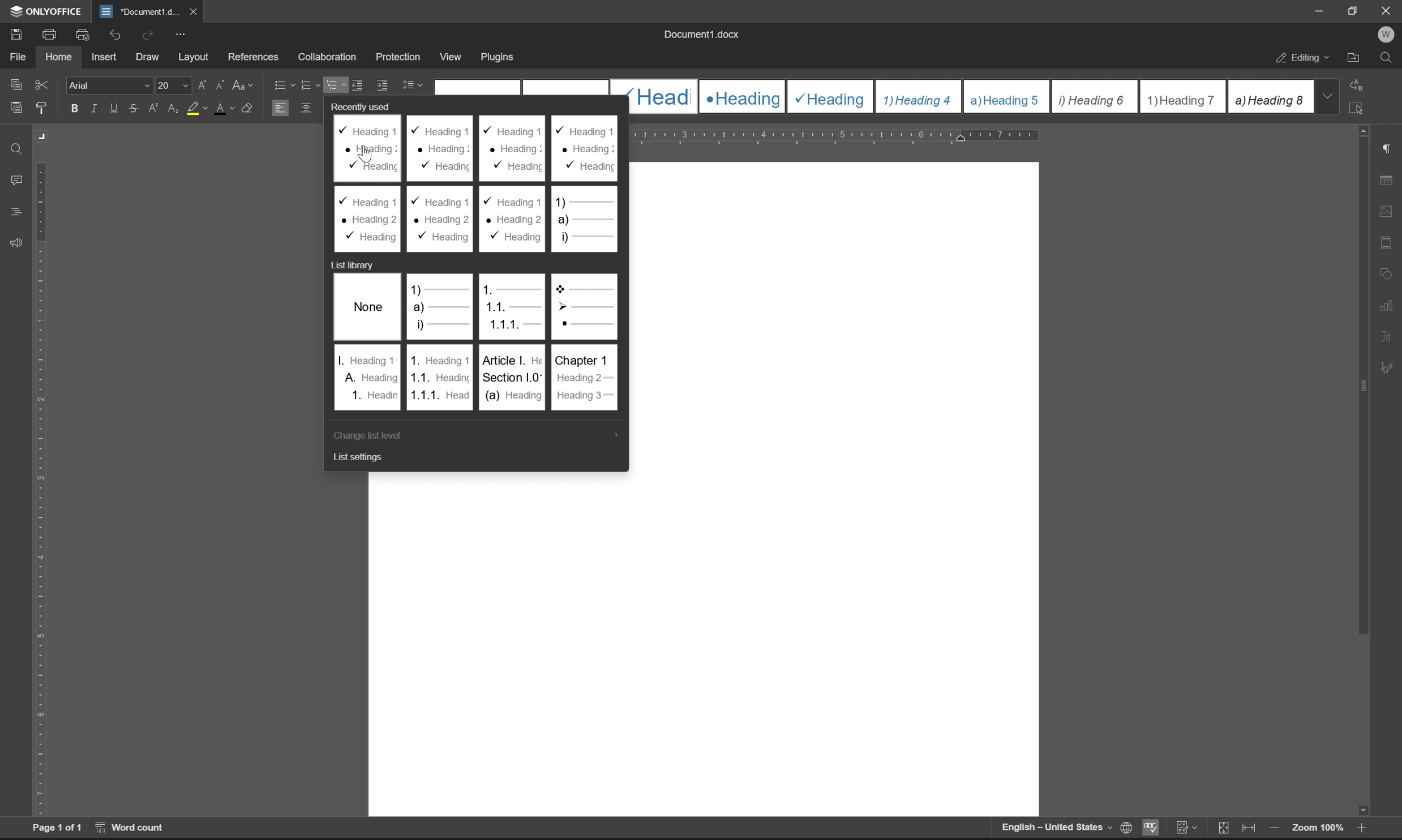 Image resolution: width=1402 pixels, height=840 pixels. Describe the element at coordinates (499, 58) in the screenshot. I see `plugins` at that location.